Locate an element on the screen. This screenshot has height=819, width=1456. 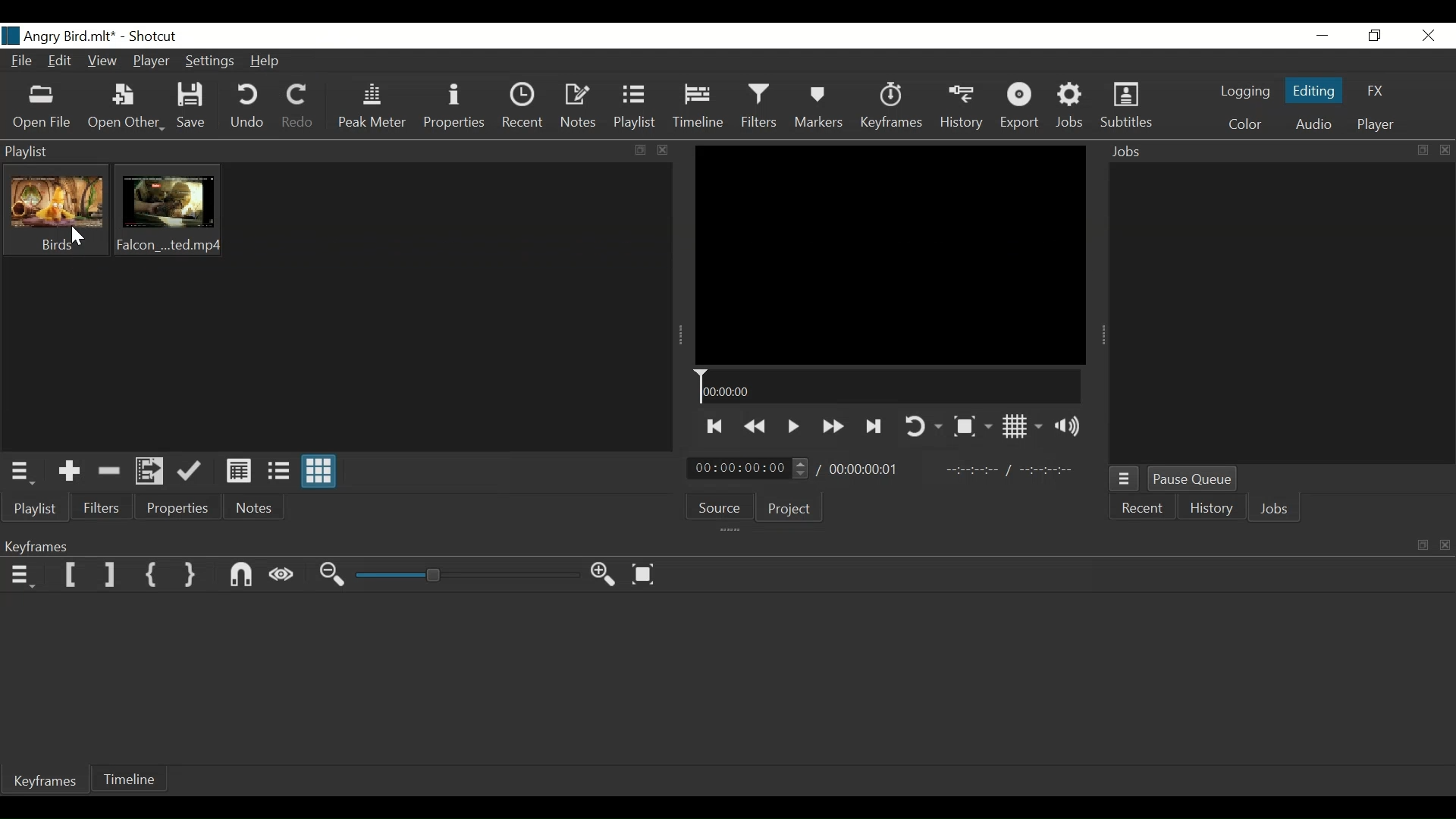
Settings is located at coordinates (210, 61).